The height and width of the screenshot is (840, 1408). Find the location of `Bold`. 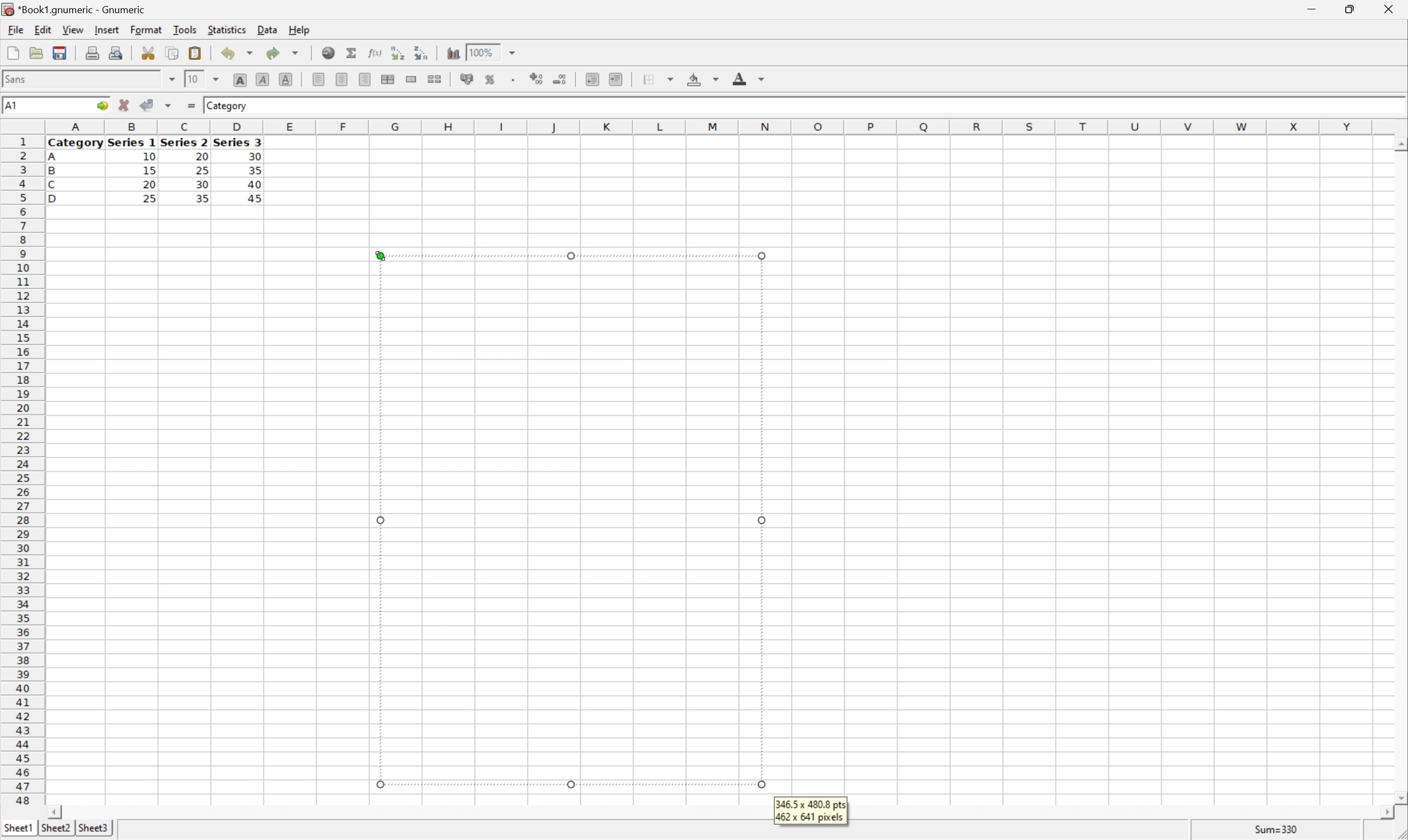

Bold is located at coordinates (241, 78).